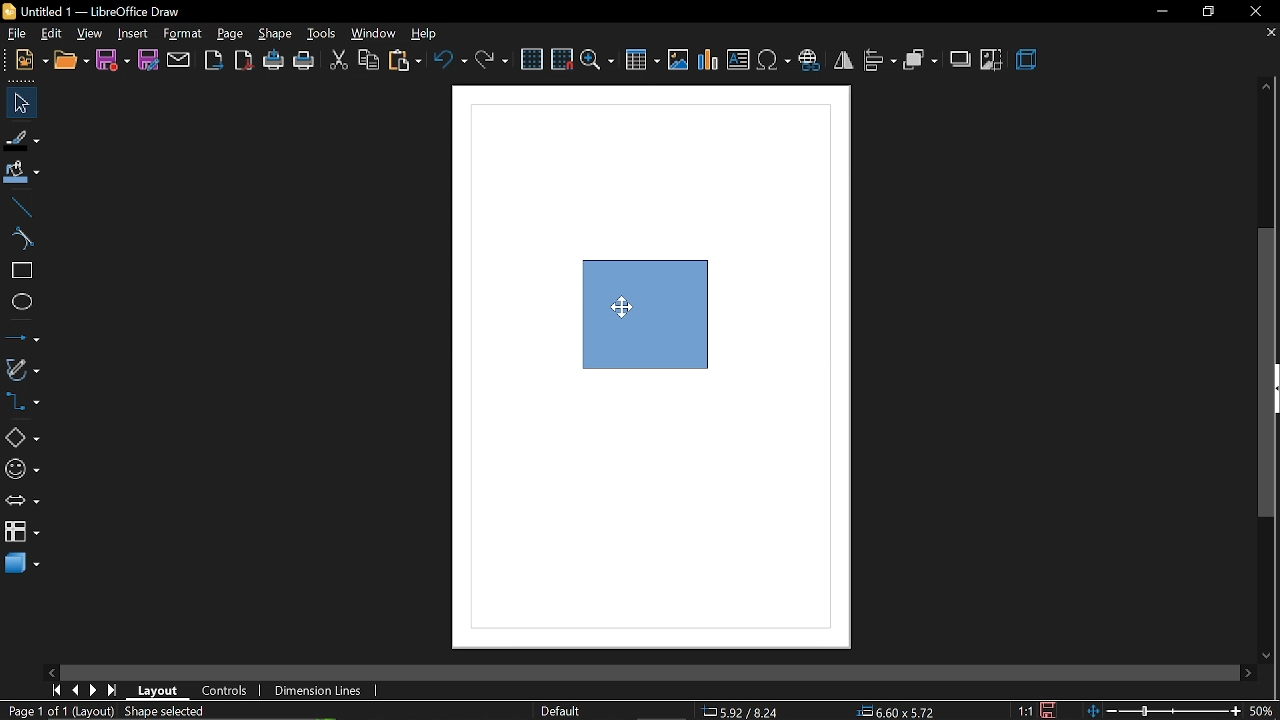 This screenshot has height=720, width=1280. What do you see at coordinates (112, 691) in the screenshot?
I see `go to last page` at bounding box center [112, 691].